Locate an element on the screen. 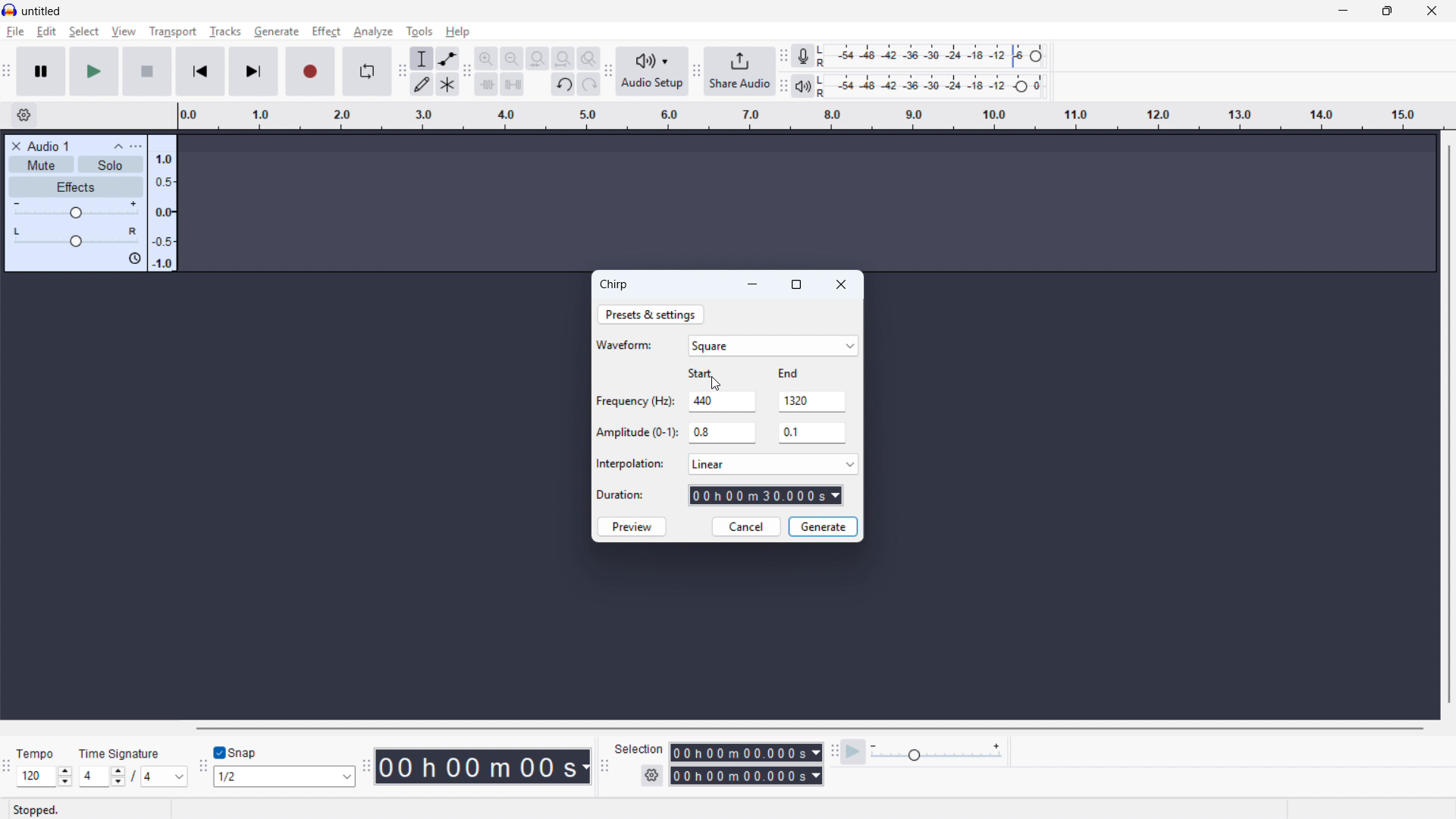  End is located at coordinates (786, 373).